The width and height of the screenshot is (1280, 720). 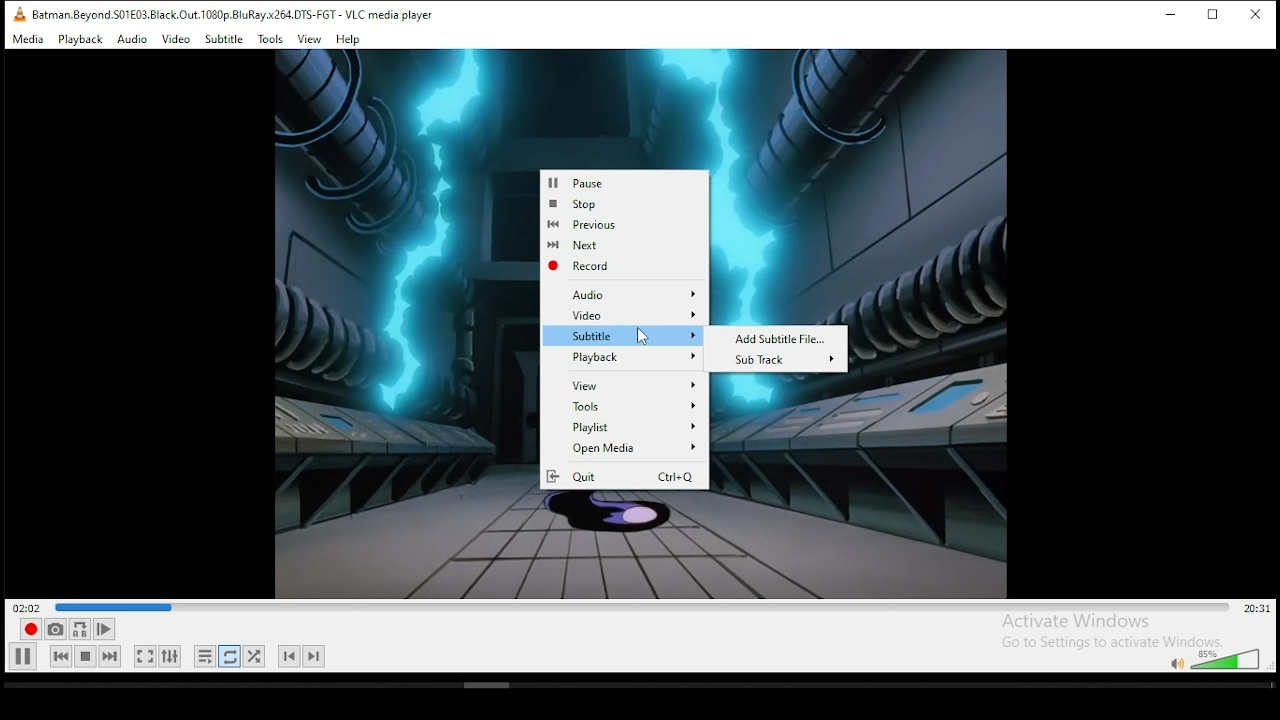 What do you see at coordinates (618, 225) in the screenshot?
I see `Previous` at bounding box center [618, 225].